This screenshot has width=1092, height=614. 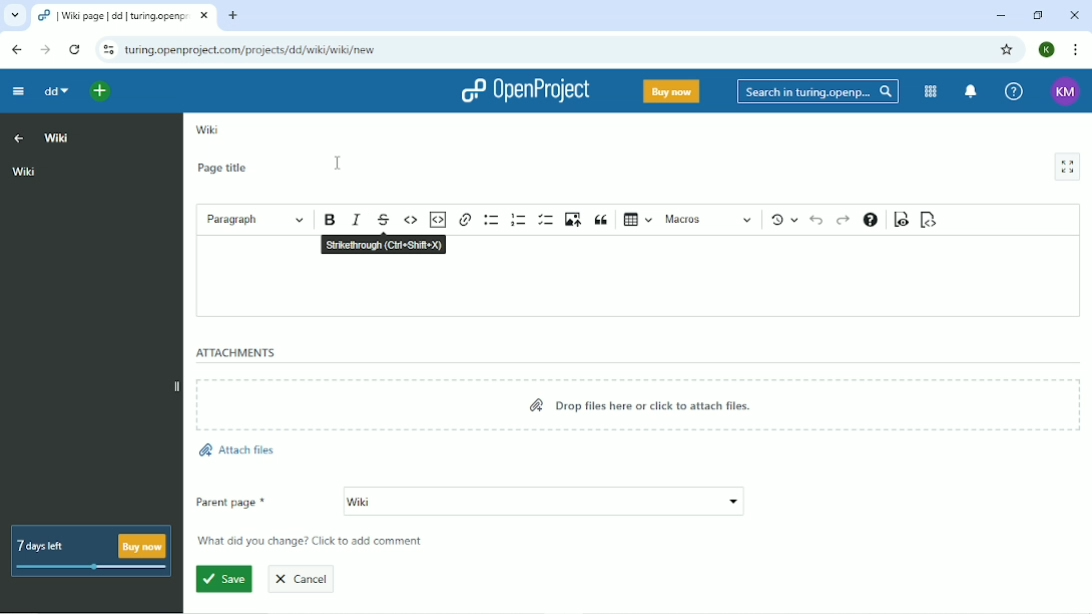 What do you see at coordinates (356, 219) in the screenshot?
I see `Italic` at bounding box center [356, 219].